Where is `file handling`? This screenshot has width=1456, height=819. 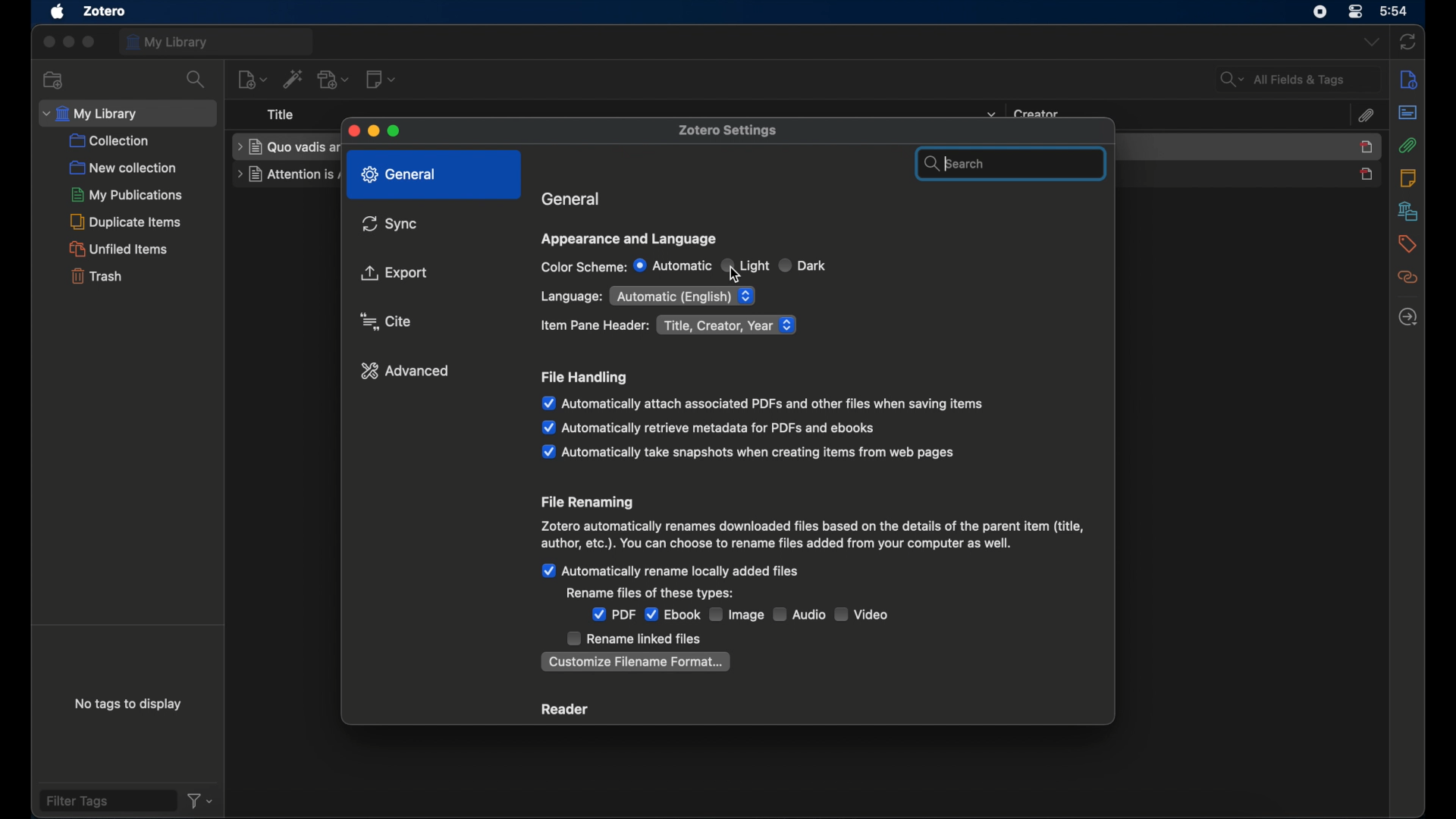
file handling is located at coordinates (584, 377).